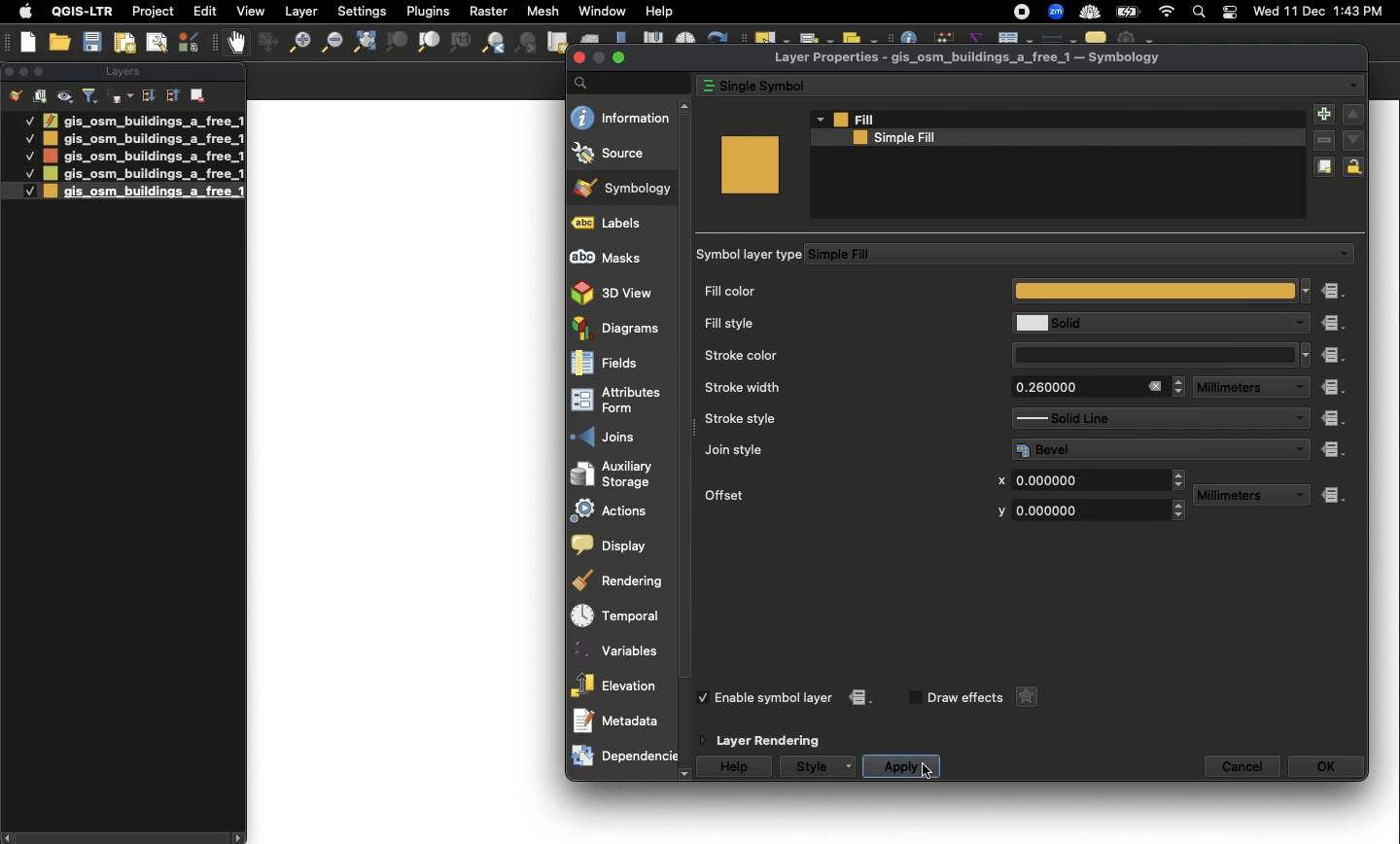 This screenshot has width=1400, height=844. Describe the element at coordinates (900, 767) in the screenshot. I see `Apply` at that location.